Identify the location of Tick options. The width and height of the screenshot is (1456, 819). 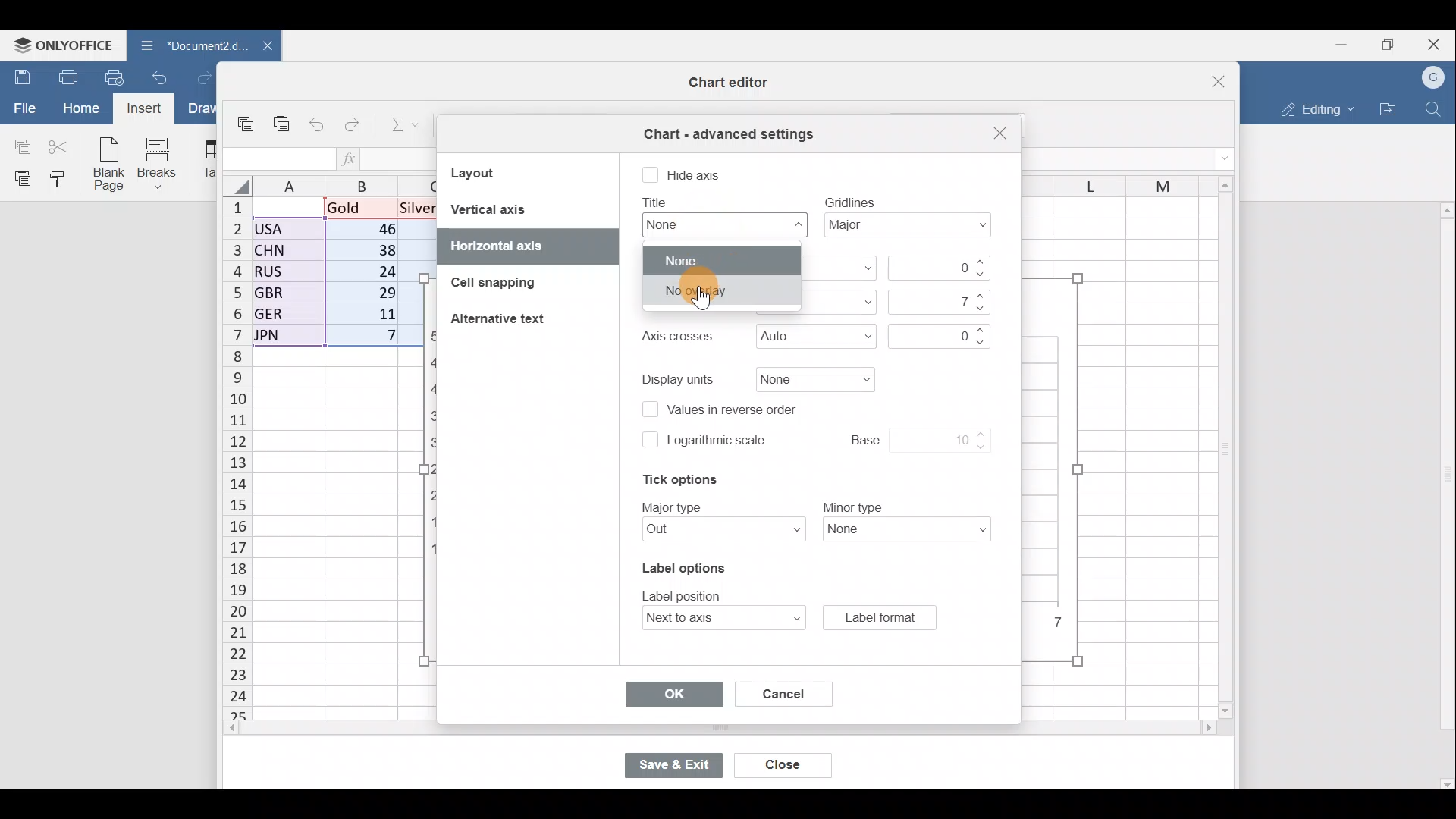
(673, 480).